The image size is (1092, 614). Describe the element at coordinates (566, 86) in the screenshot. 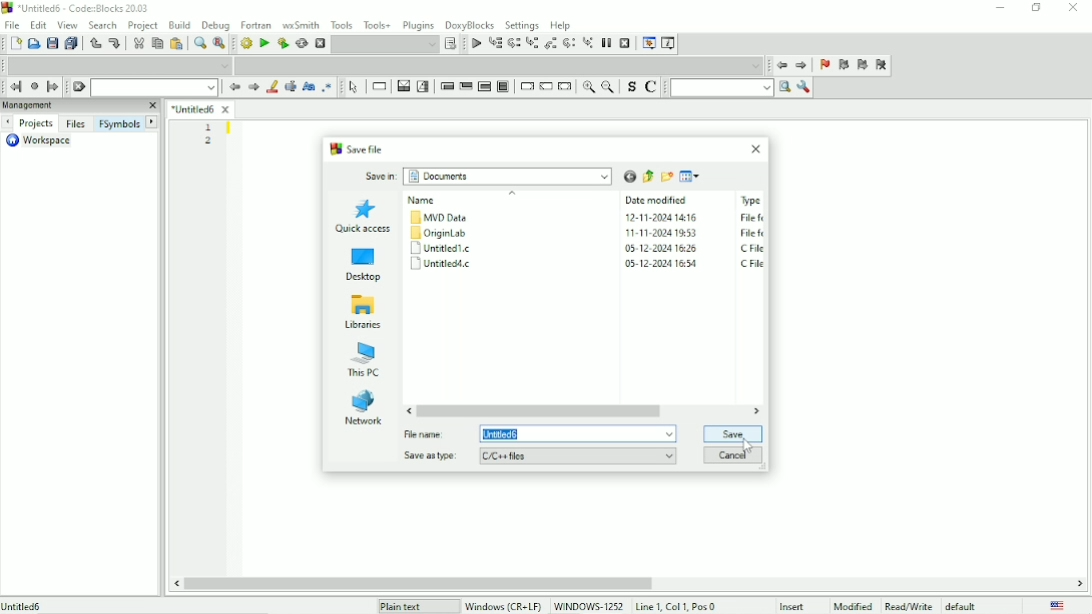

I see `Return-instruction` at that location.